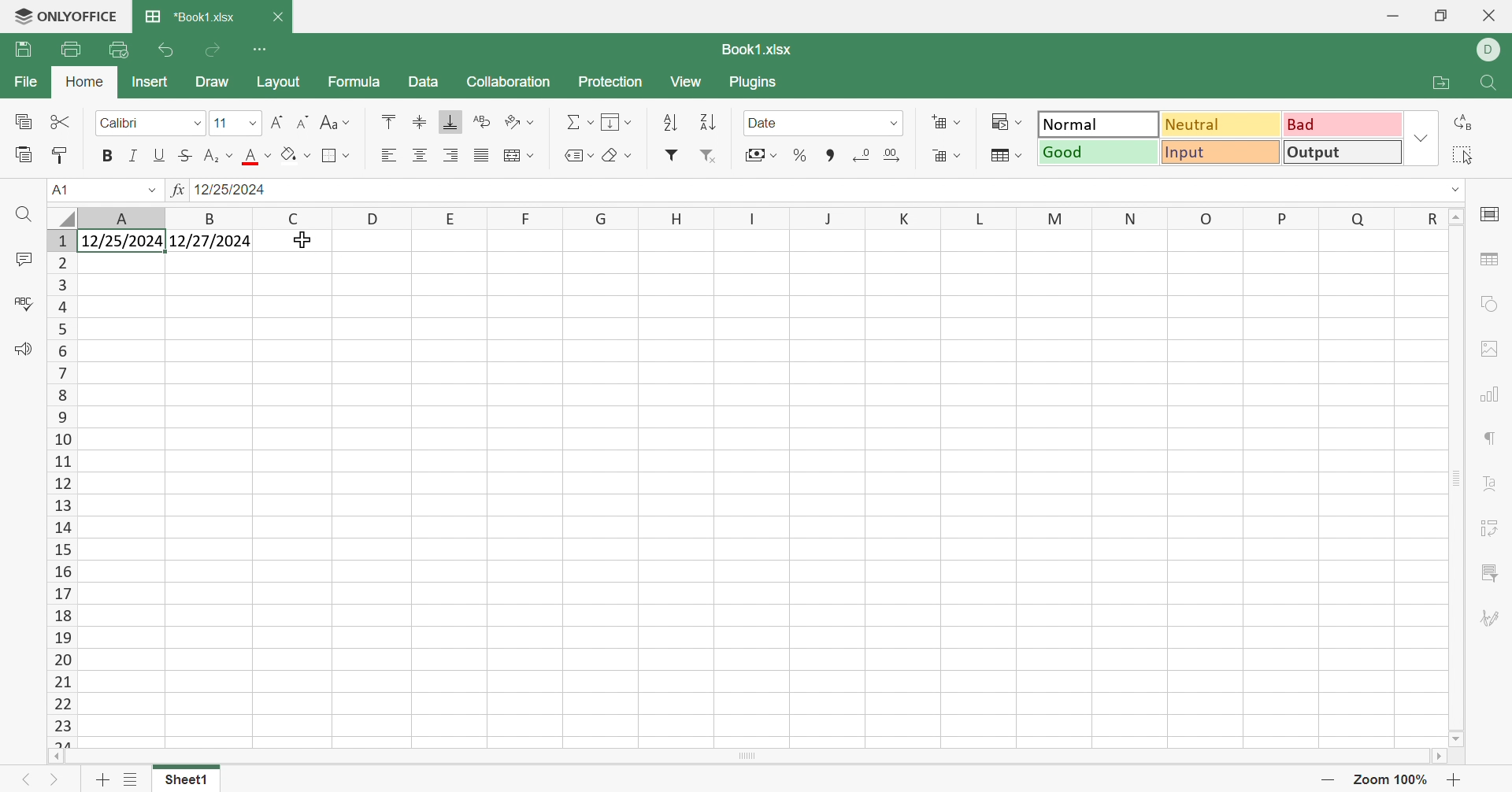 This screenshot has height=792, width=1512. What do you see at coordinates (120, 240) in the screenshot?
I see `12/25/2024` at bounding box center [120, 240].